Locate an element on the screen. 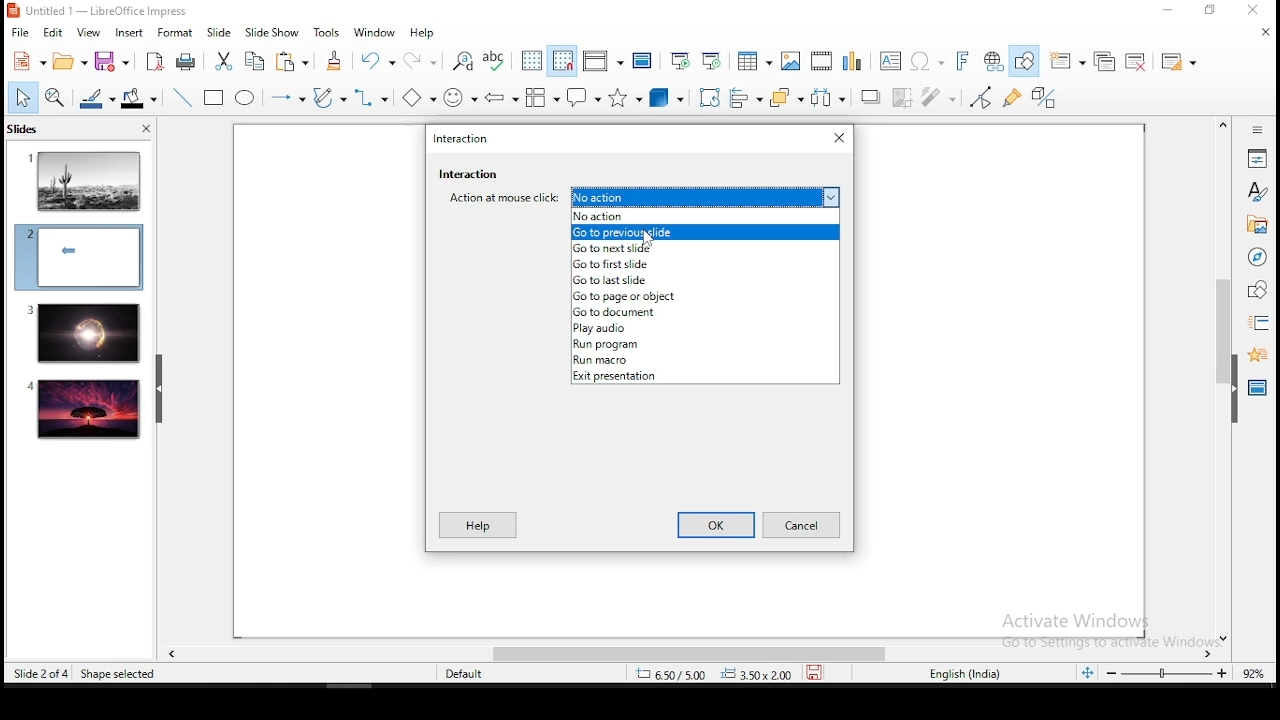 The height and width of the screenshot is (720, 1280). arrange is located at coordinates (789, 98).